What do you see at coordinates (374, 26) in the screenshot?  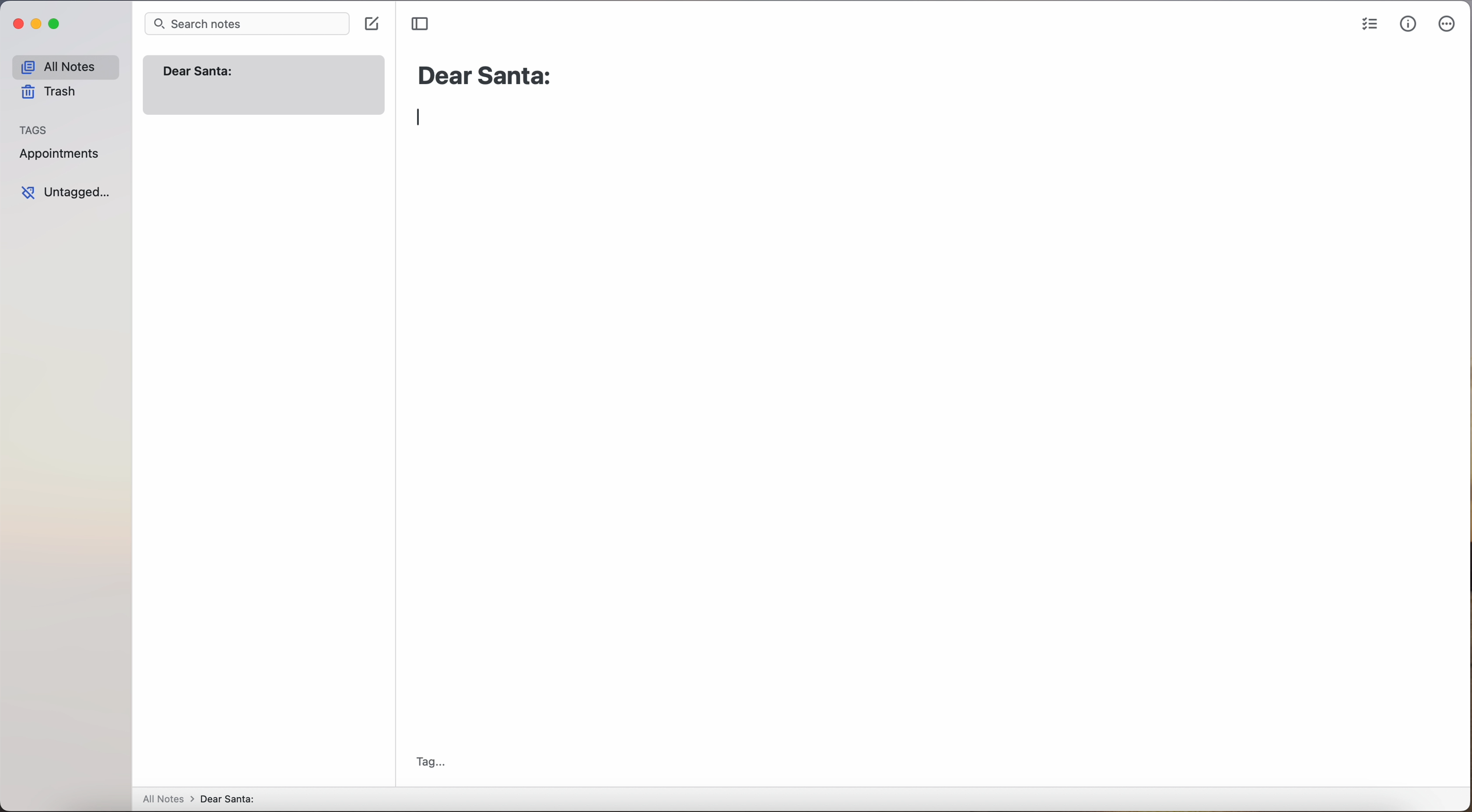 I see `click on create note` at bounding box center [374, 26].